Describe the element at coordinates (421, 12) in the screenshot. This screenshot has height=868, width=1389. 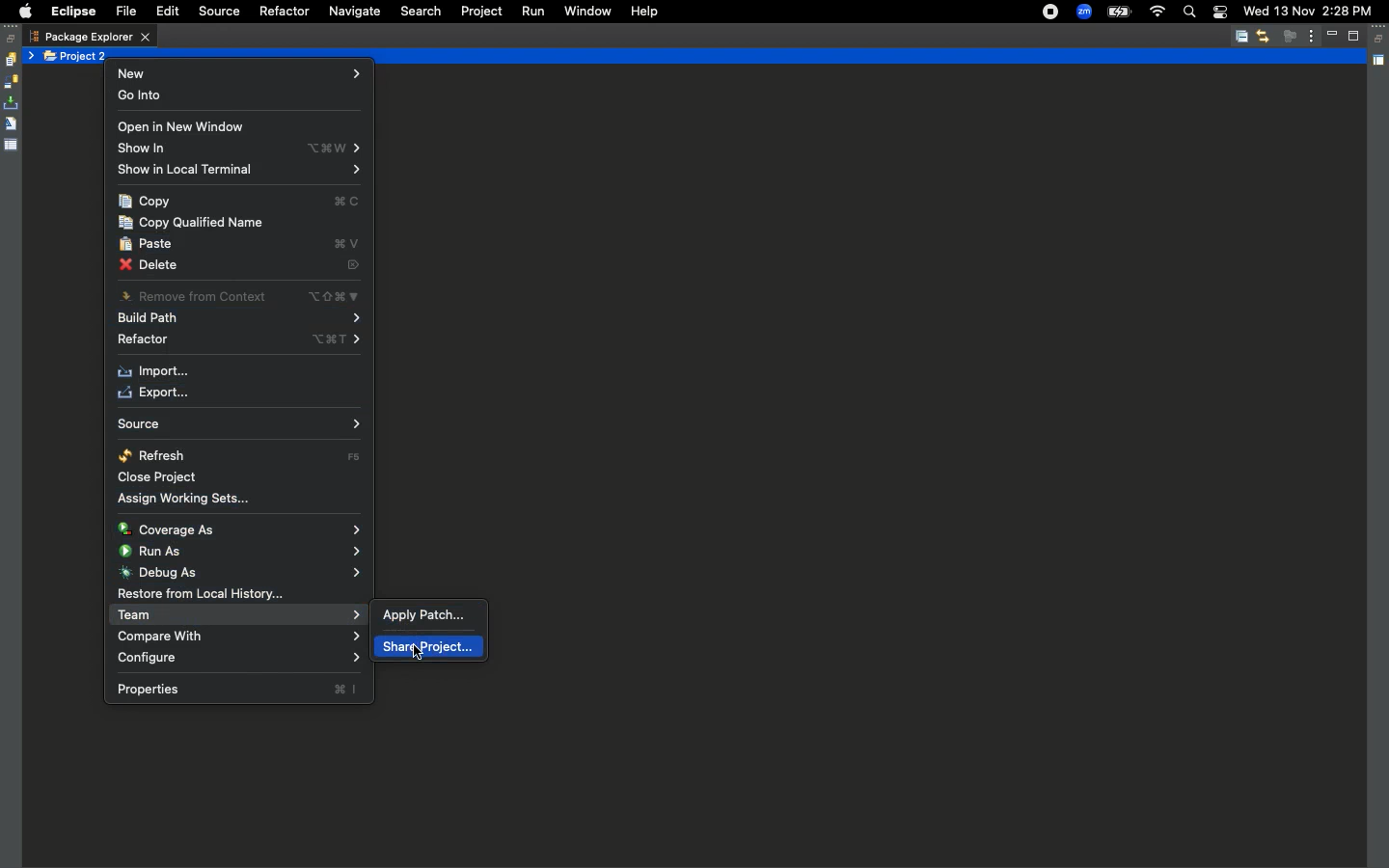
I see `Search` at that location.